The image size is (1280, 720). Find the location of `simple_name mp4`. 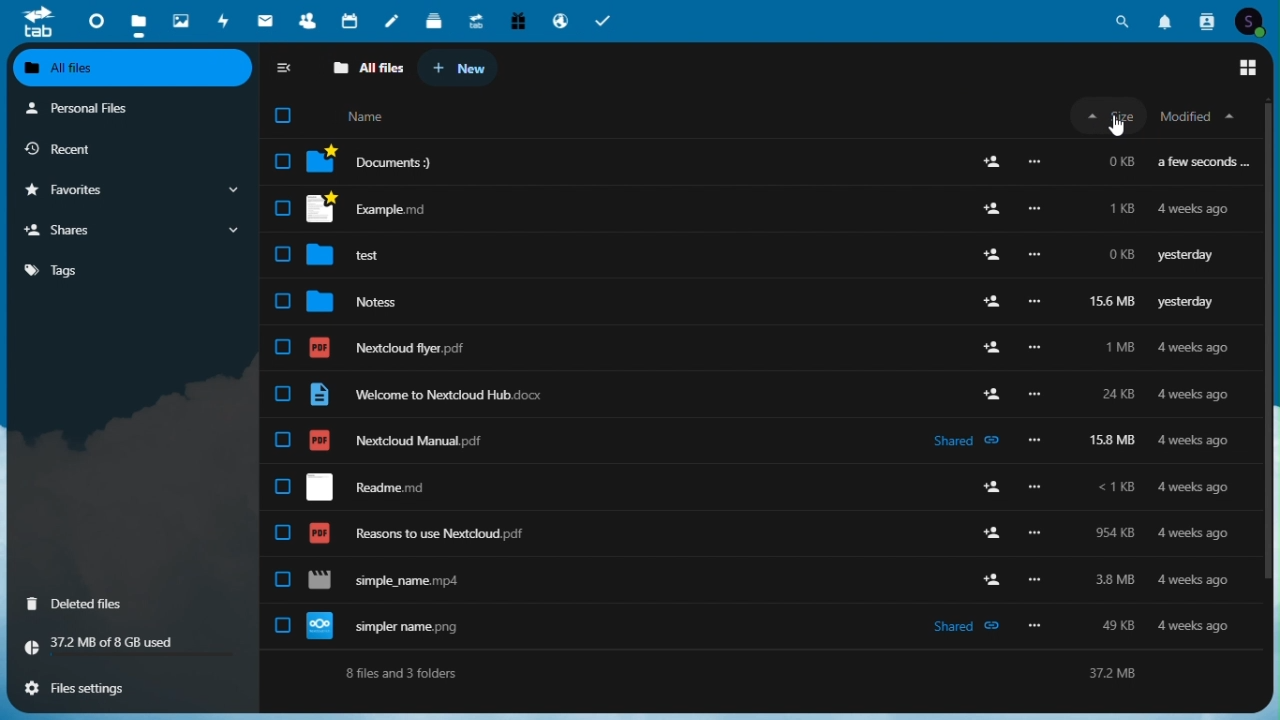

simple_name mp4 is located at coordinates (756, 585).